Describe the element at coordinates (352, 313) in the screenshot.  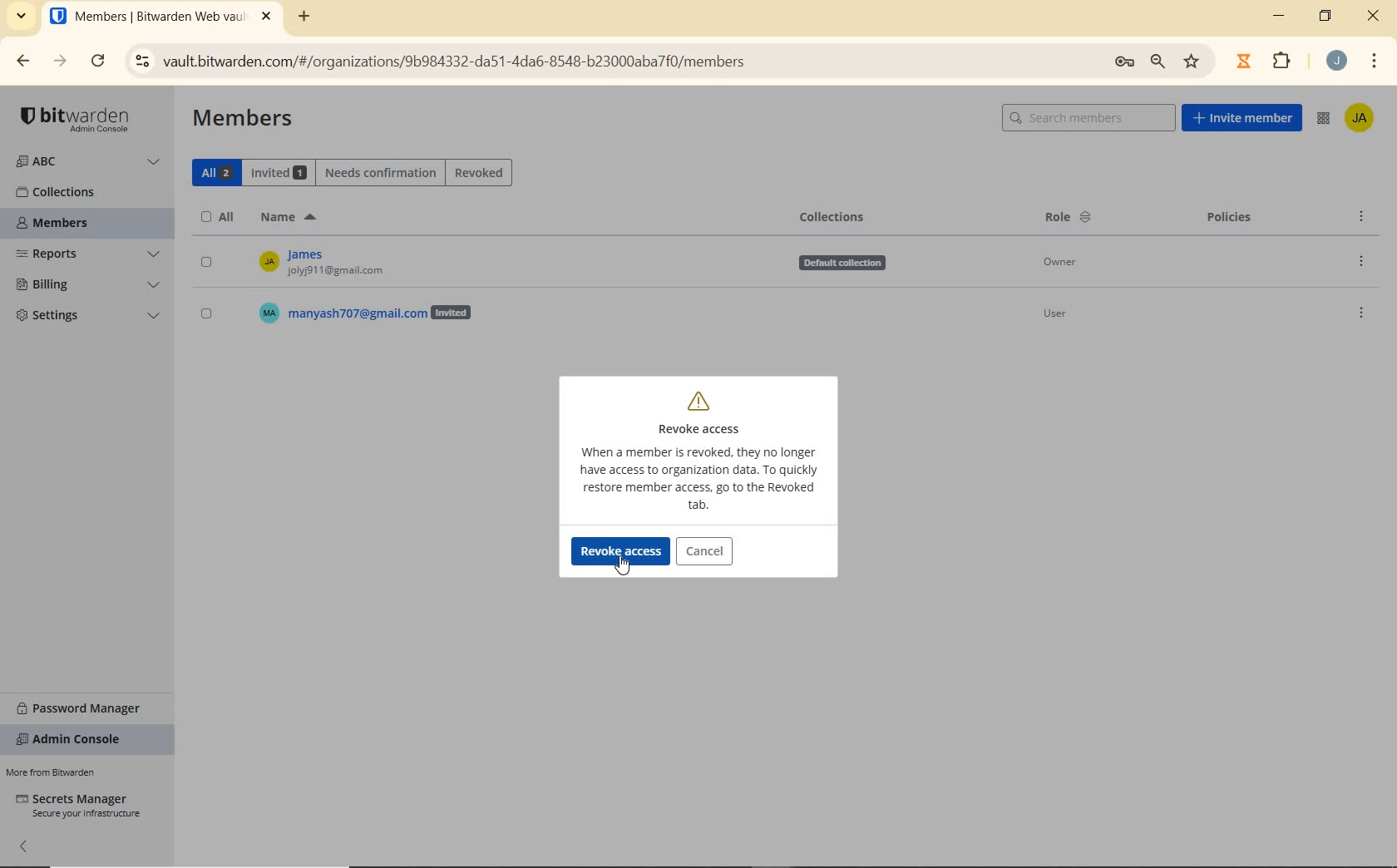
I see `USER` at that location.